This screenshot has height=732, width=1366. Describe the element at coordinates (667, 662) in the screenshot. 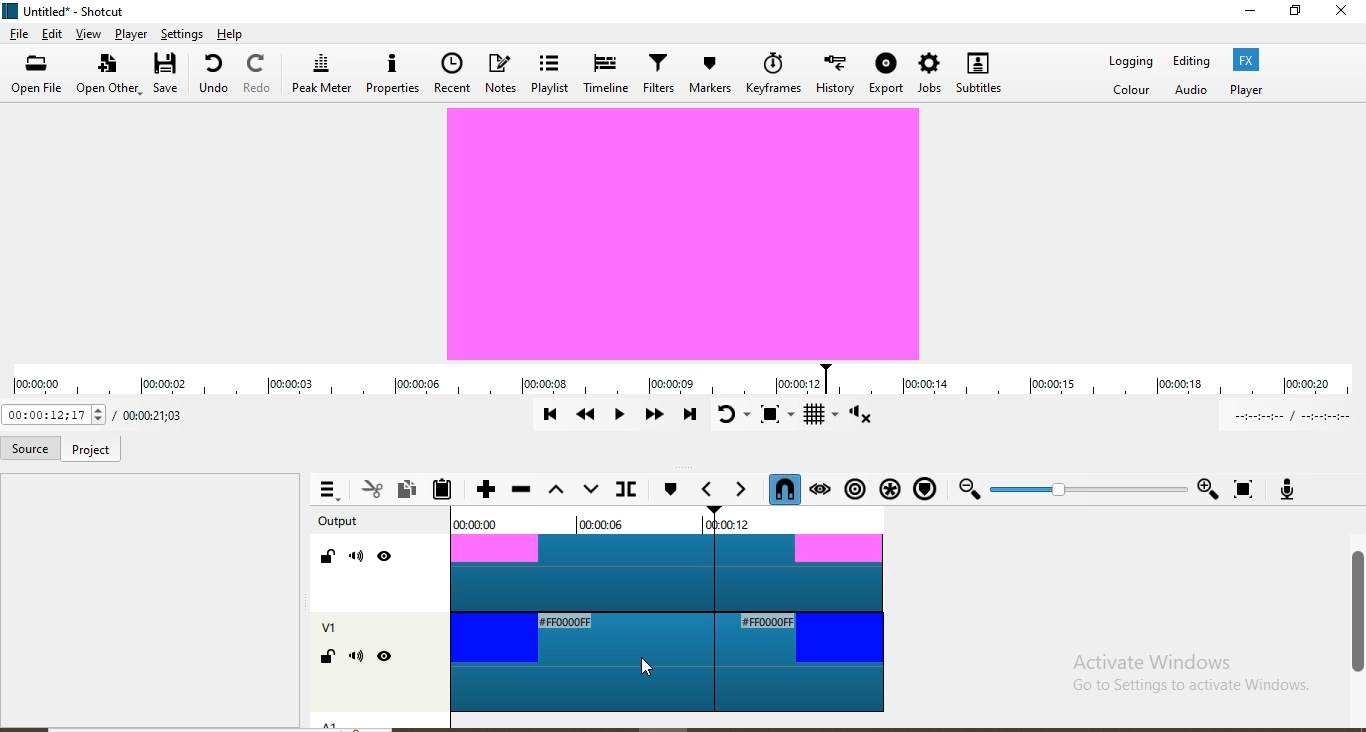

I see `video track` at that location.